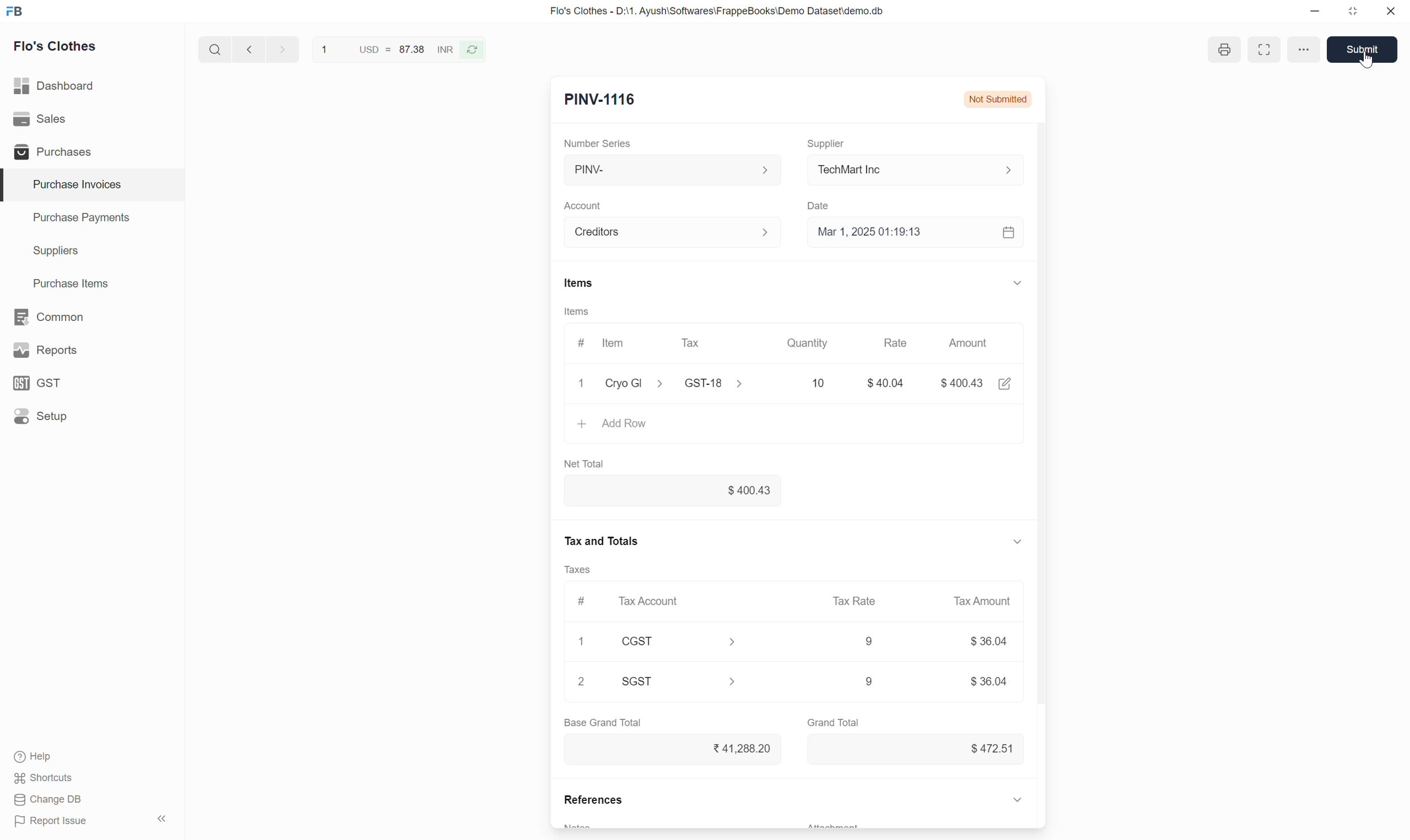  What do you see at coordinates (591, 802) in the screenshot?
I see `References` at bounding box center [591, 802].